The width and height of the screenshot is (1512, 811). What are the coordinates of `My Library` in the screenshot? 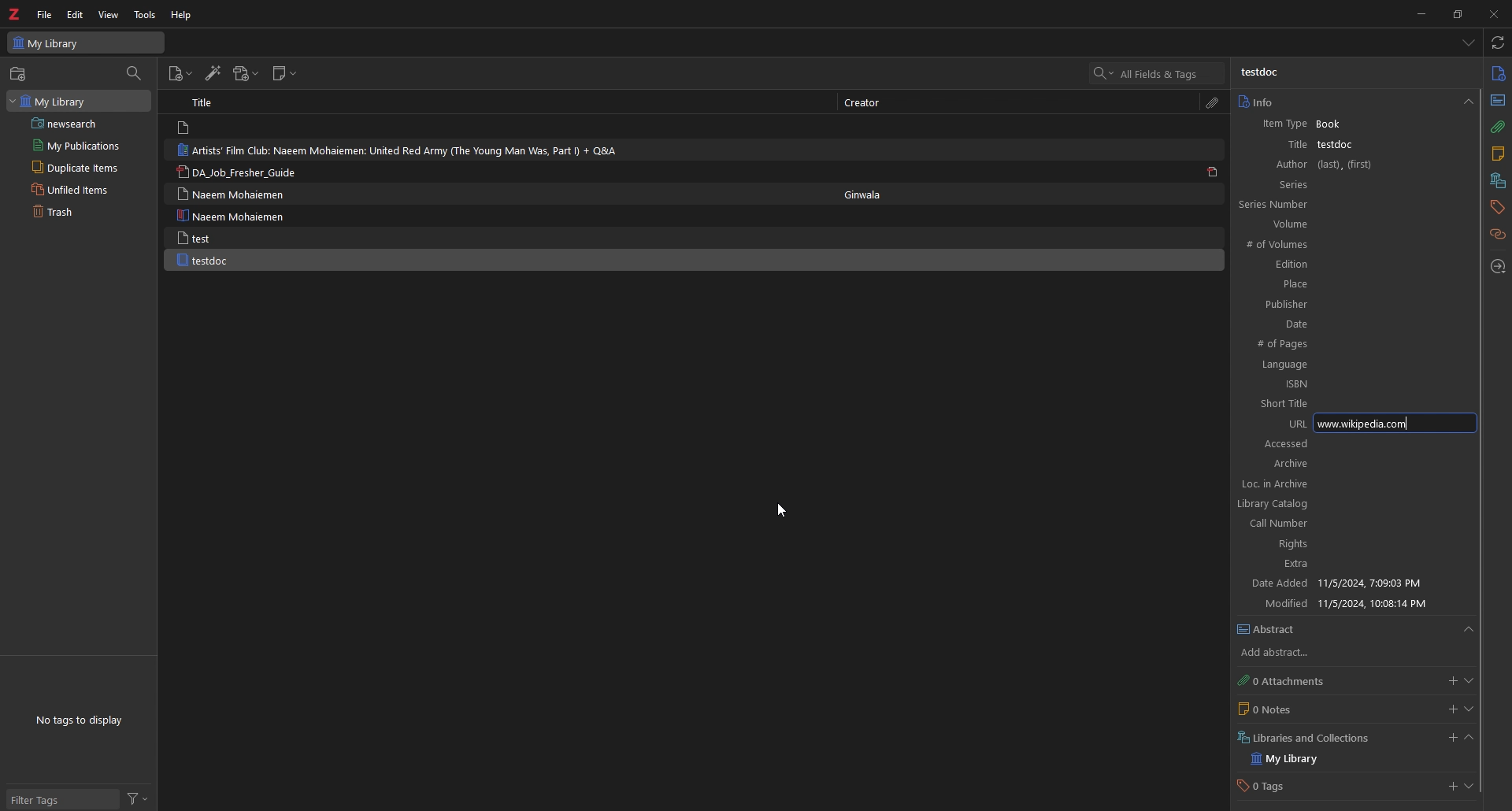 It's located at (86, 43).